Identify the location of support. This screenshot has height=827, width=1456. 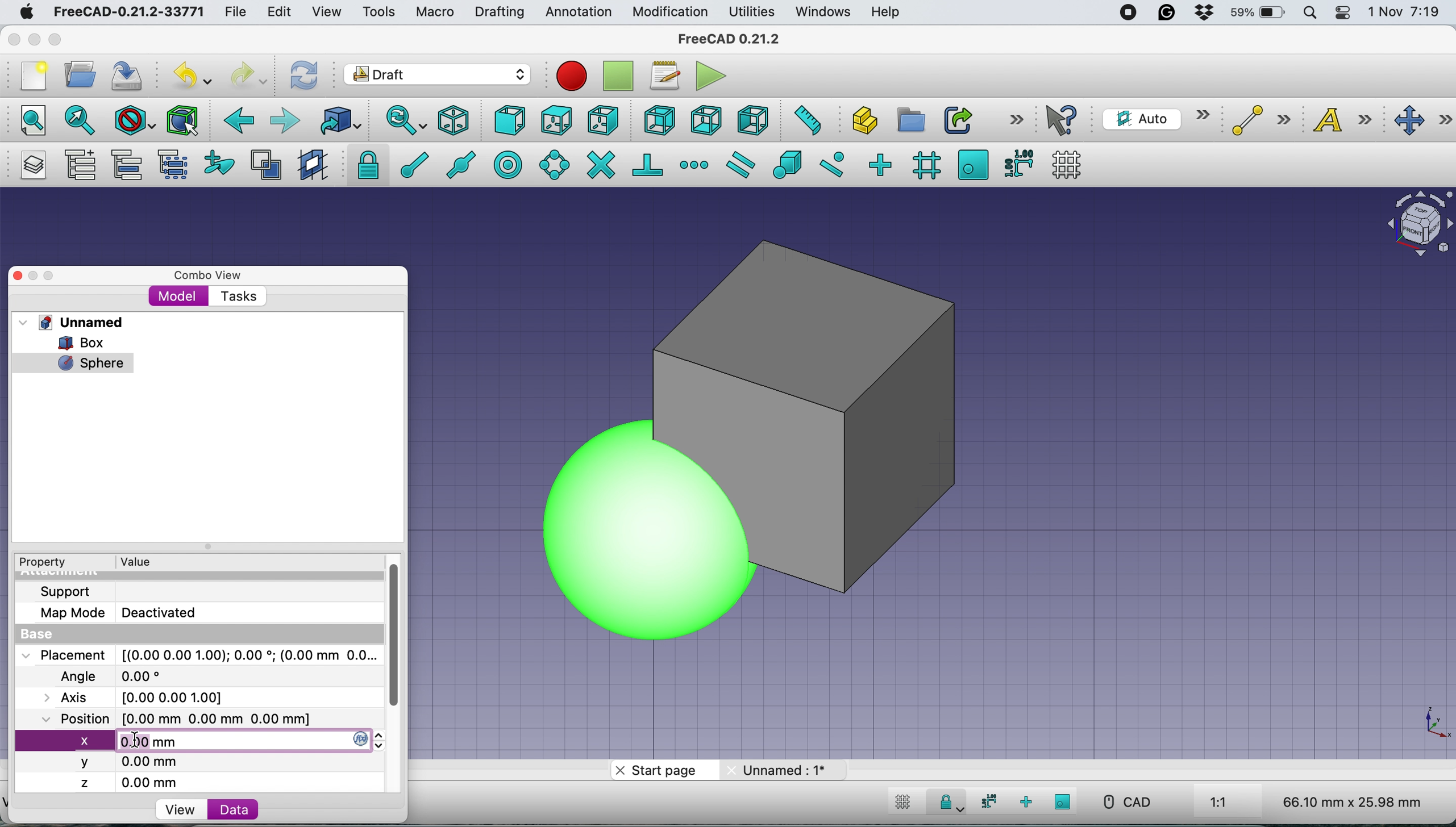
(69, 590).